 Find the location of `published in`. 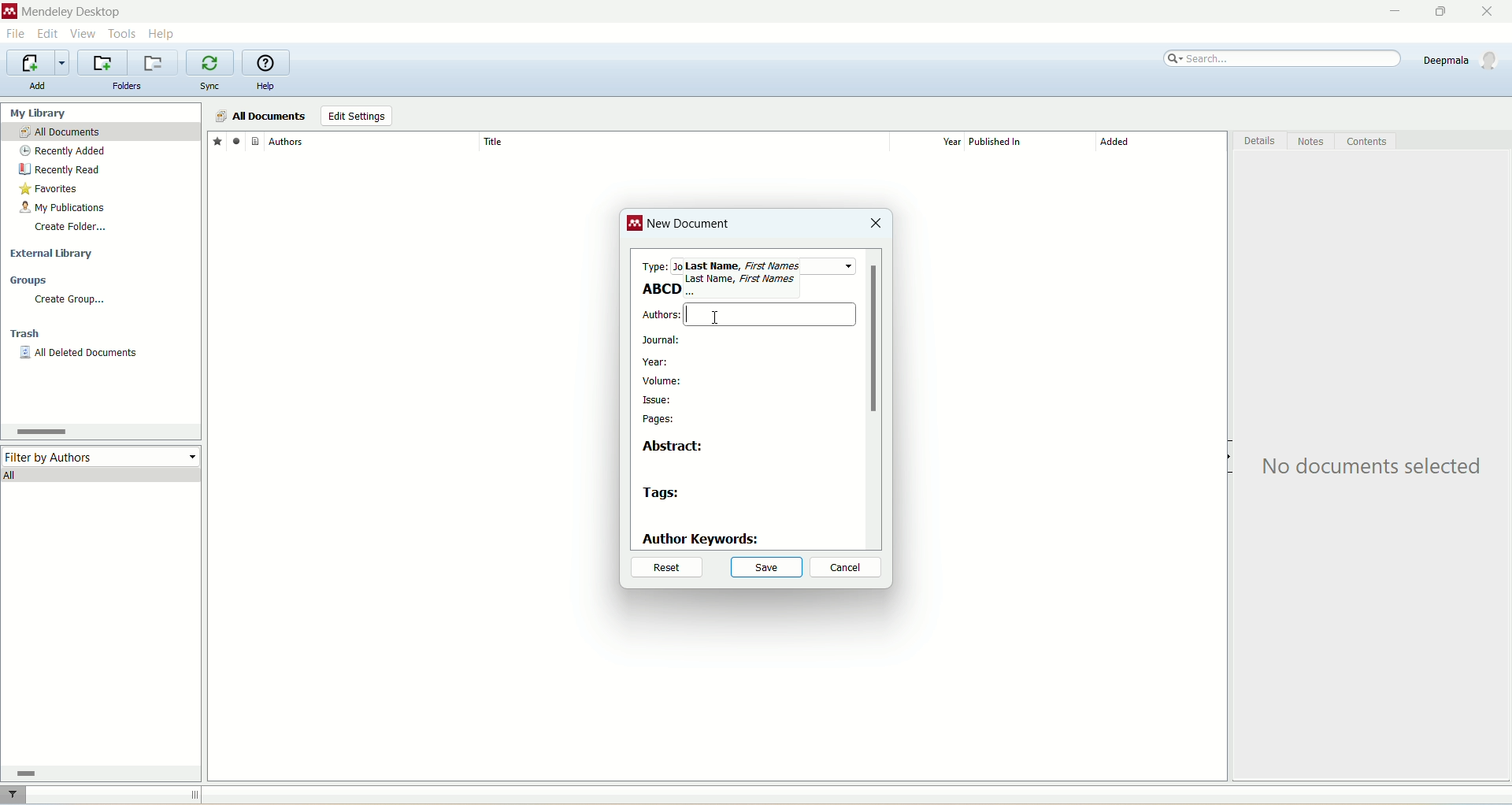

published in is located at coordinates (1024, 142).